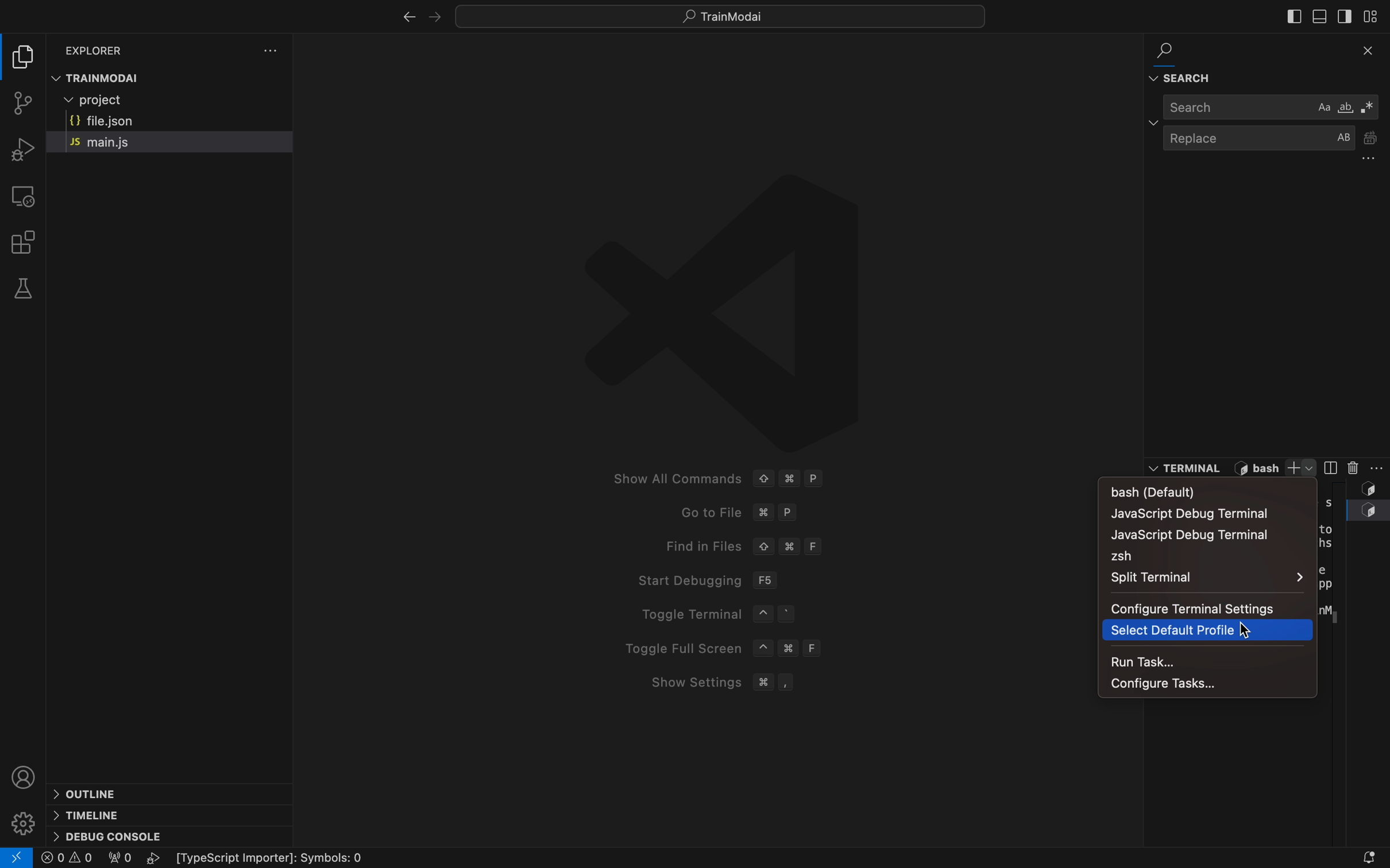  What do you see at coordinates (1350, 857) in the screenshot?
I see `notification` at bounding box center [1350, 857].